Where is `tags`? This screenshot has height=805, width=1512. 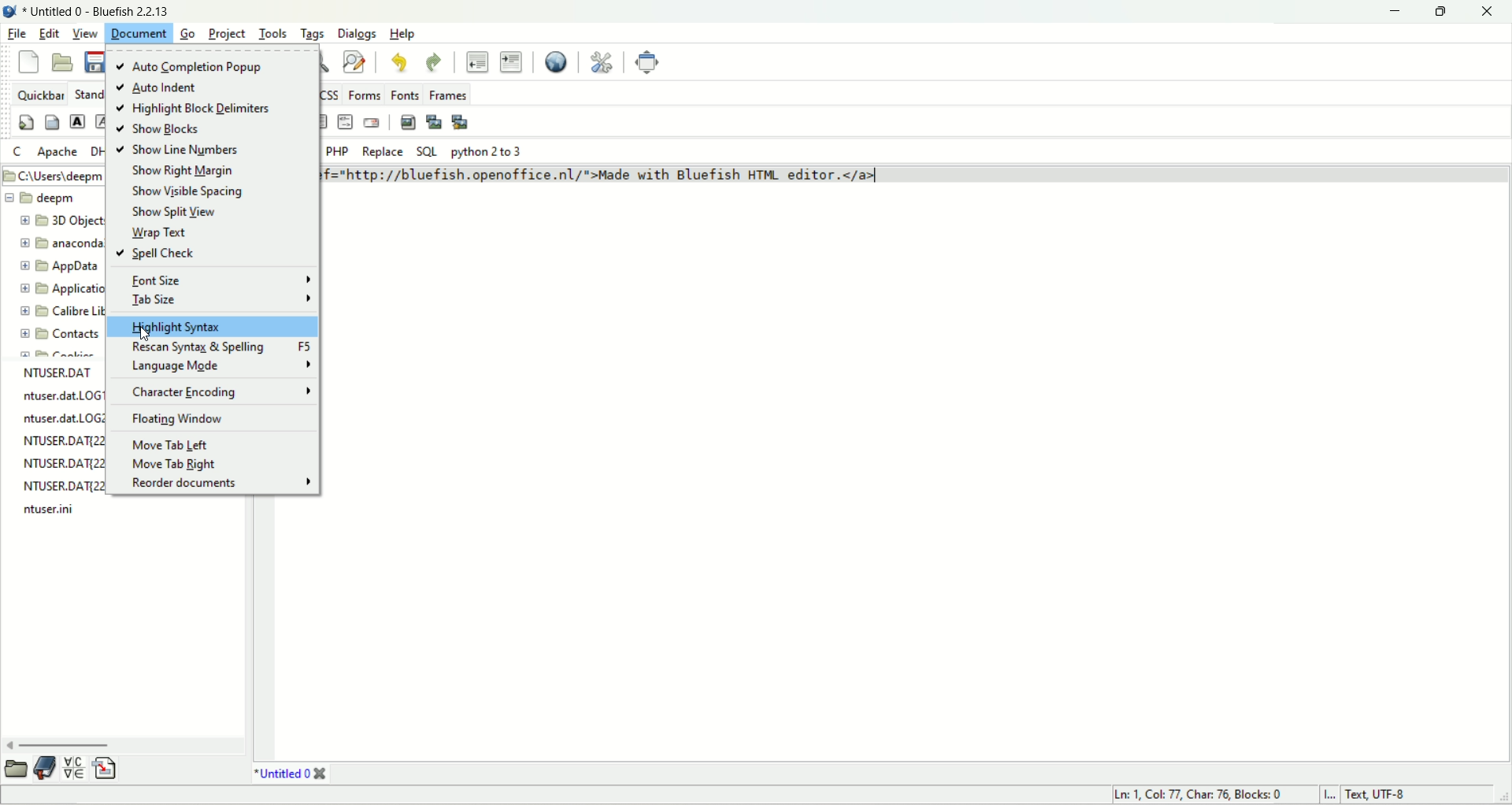 tags is located at coordinates (313, 32).